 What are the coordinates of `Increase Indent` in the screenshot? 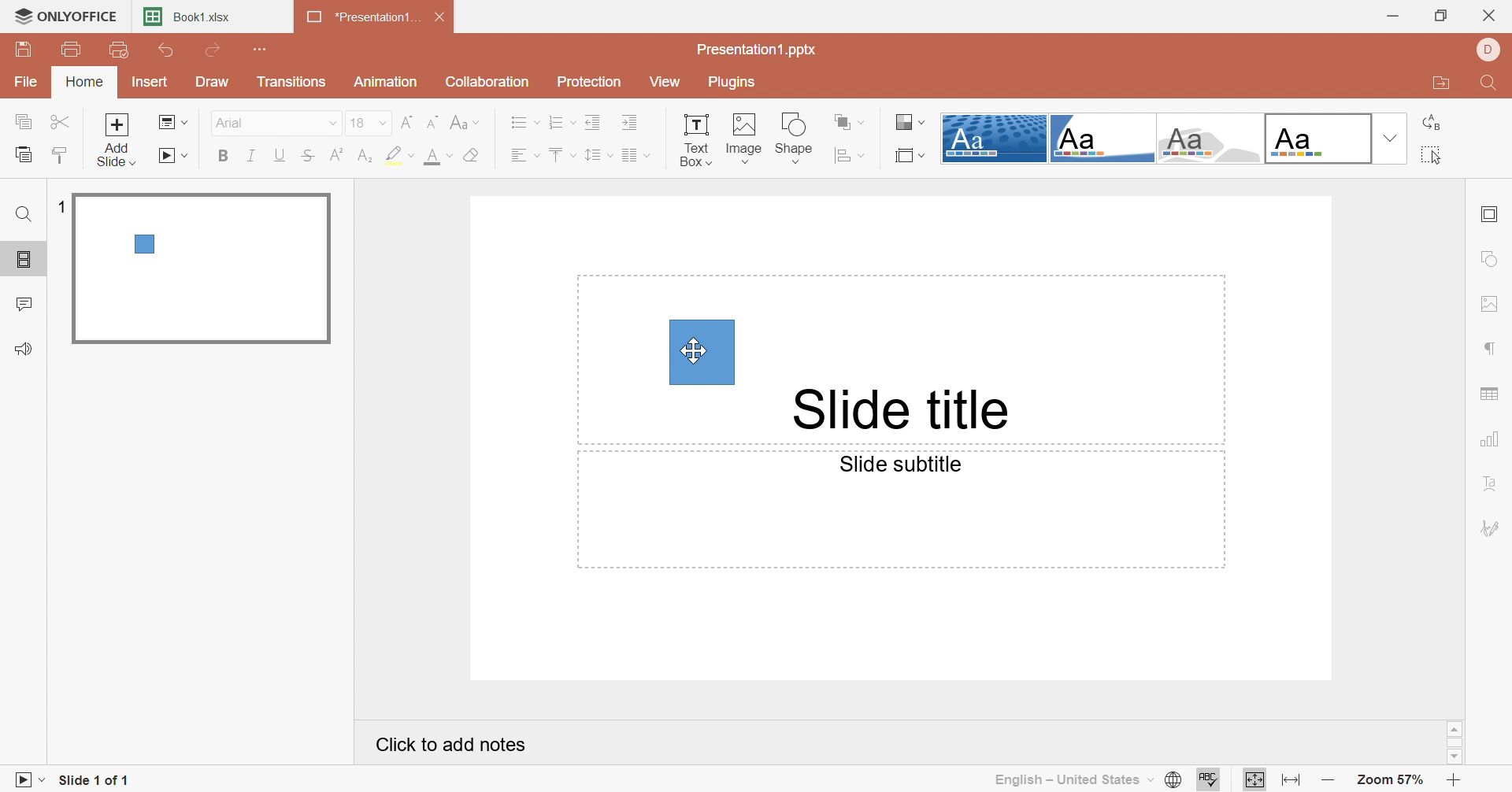 It's located at (631, 122).